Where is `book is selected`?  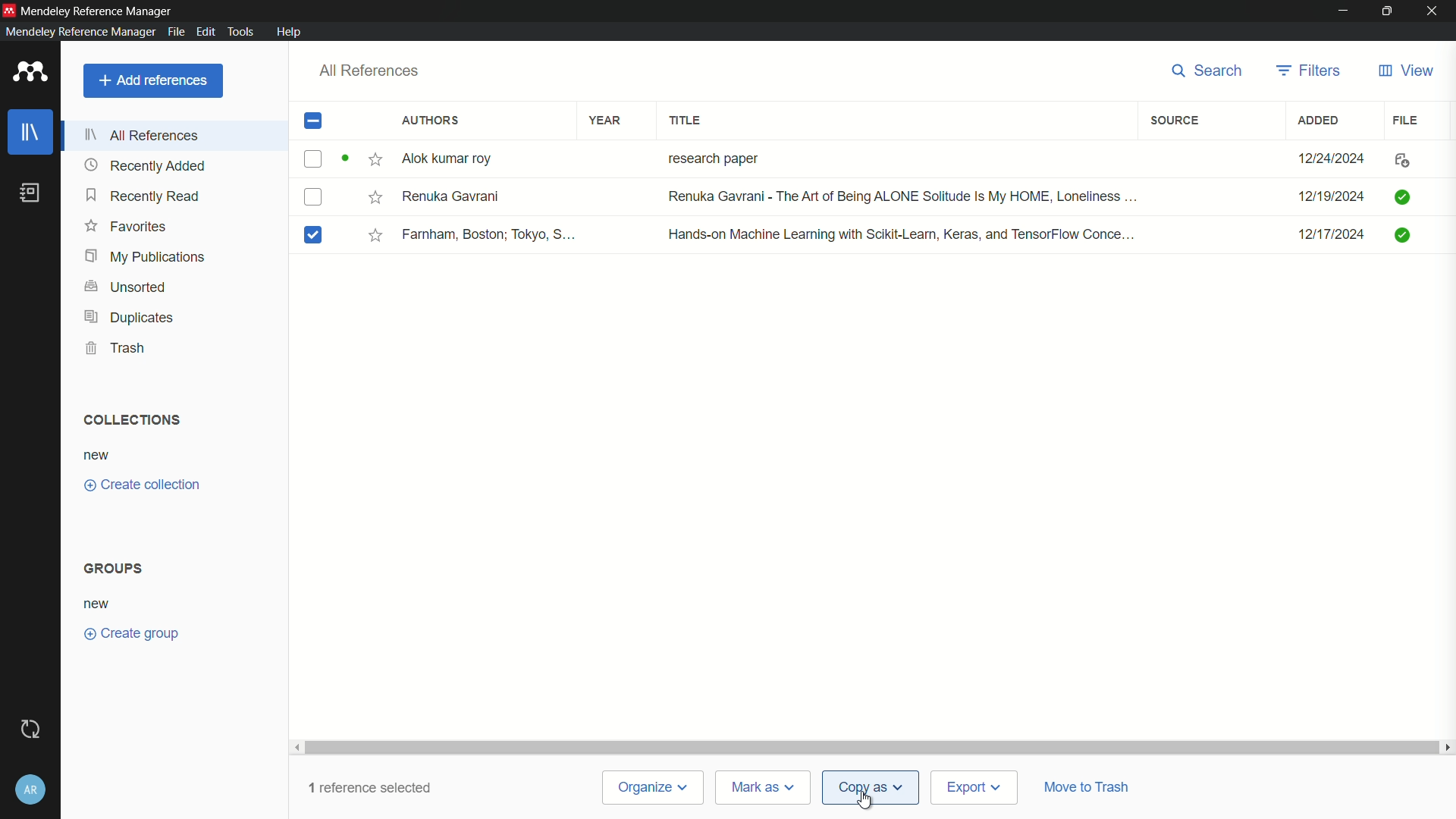 book is selected is located at coordinates (313, 233).